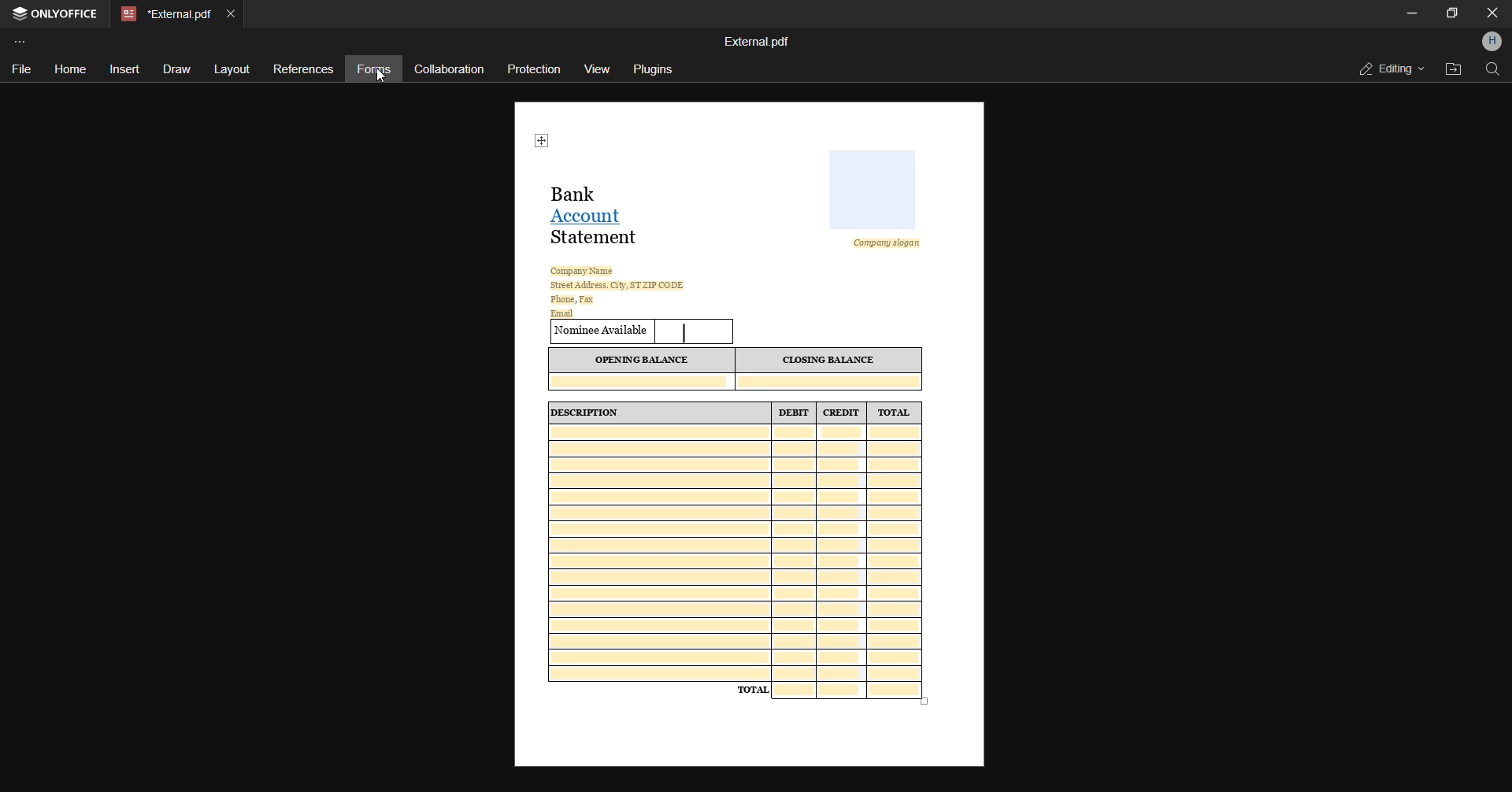  I want to click on profle, so click(1492, 42).